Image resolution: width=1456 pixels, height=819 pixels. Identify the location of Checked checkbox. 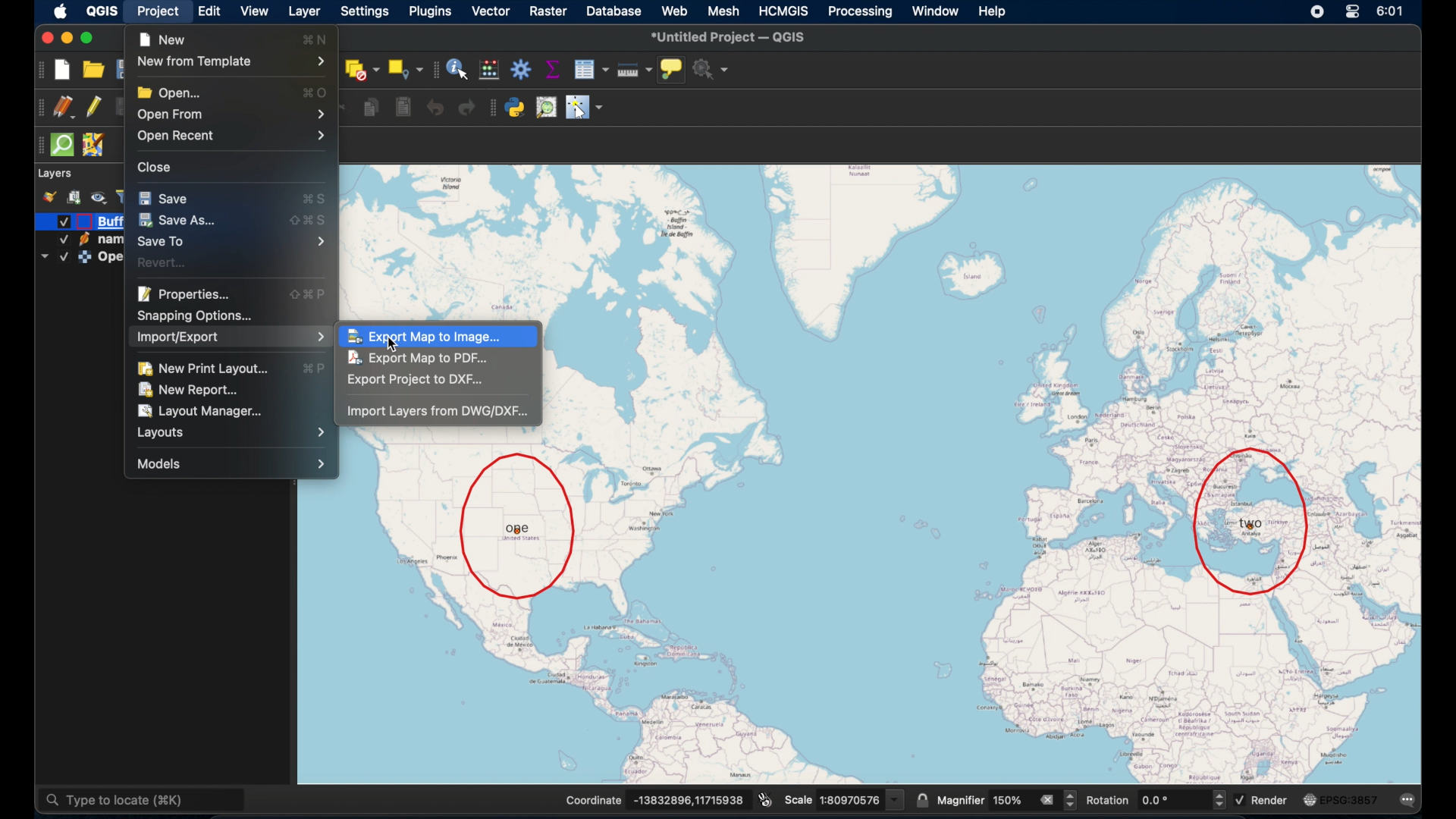
(63, 257).